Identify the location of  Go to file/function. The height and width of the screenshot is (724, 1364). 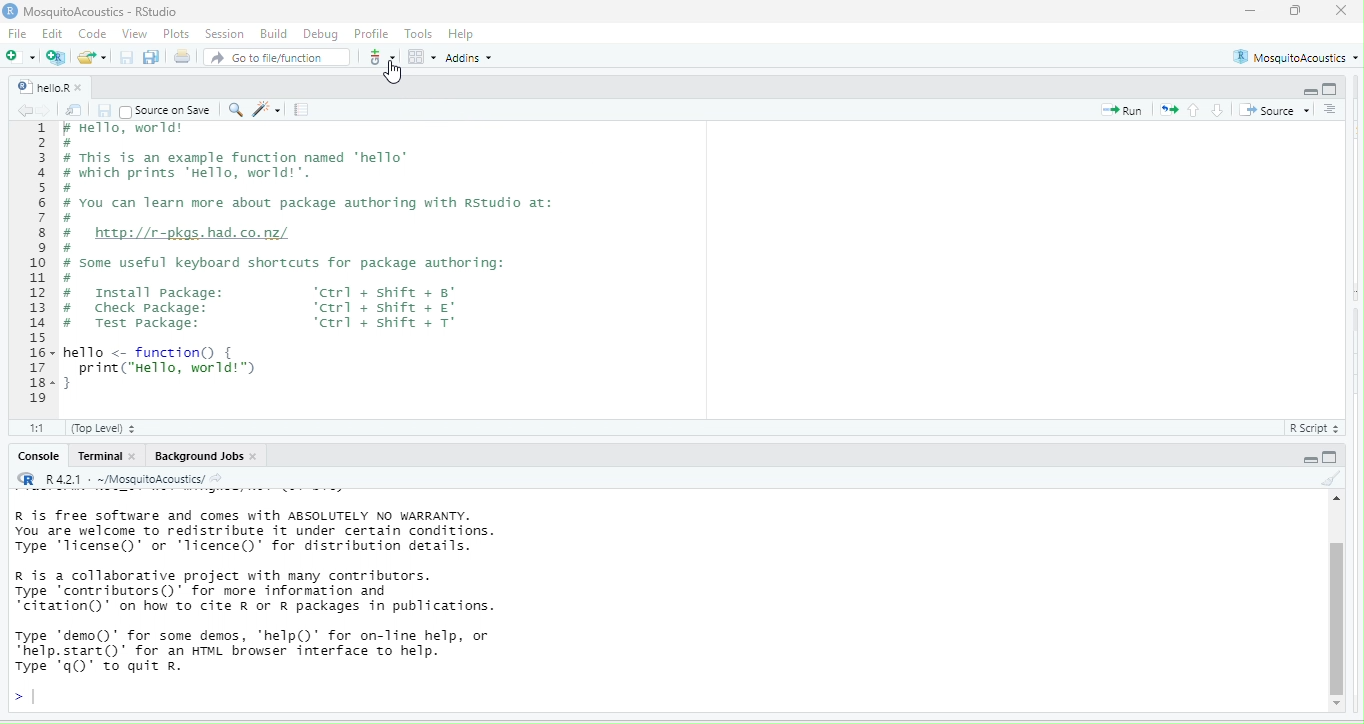
(275, 58).